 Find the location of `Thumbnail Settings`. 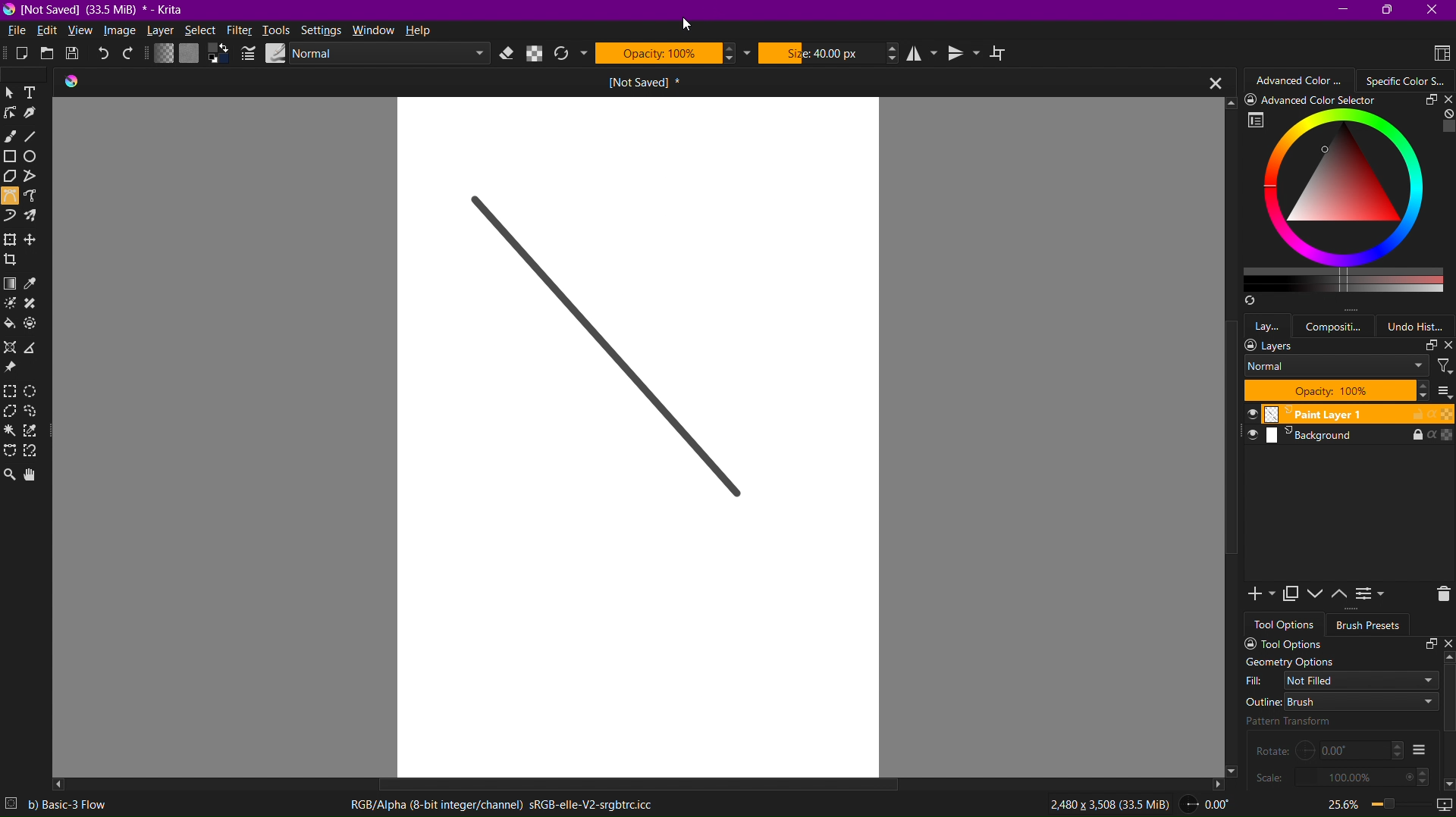

Thumbnail Settings is located at coordinates (1443, 391).